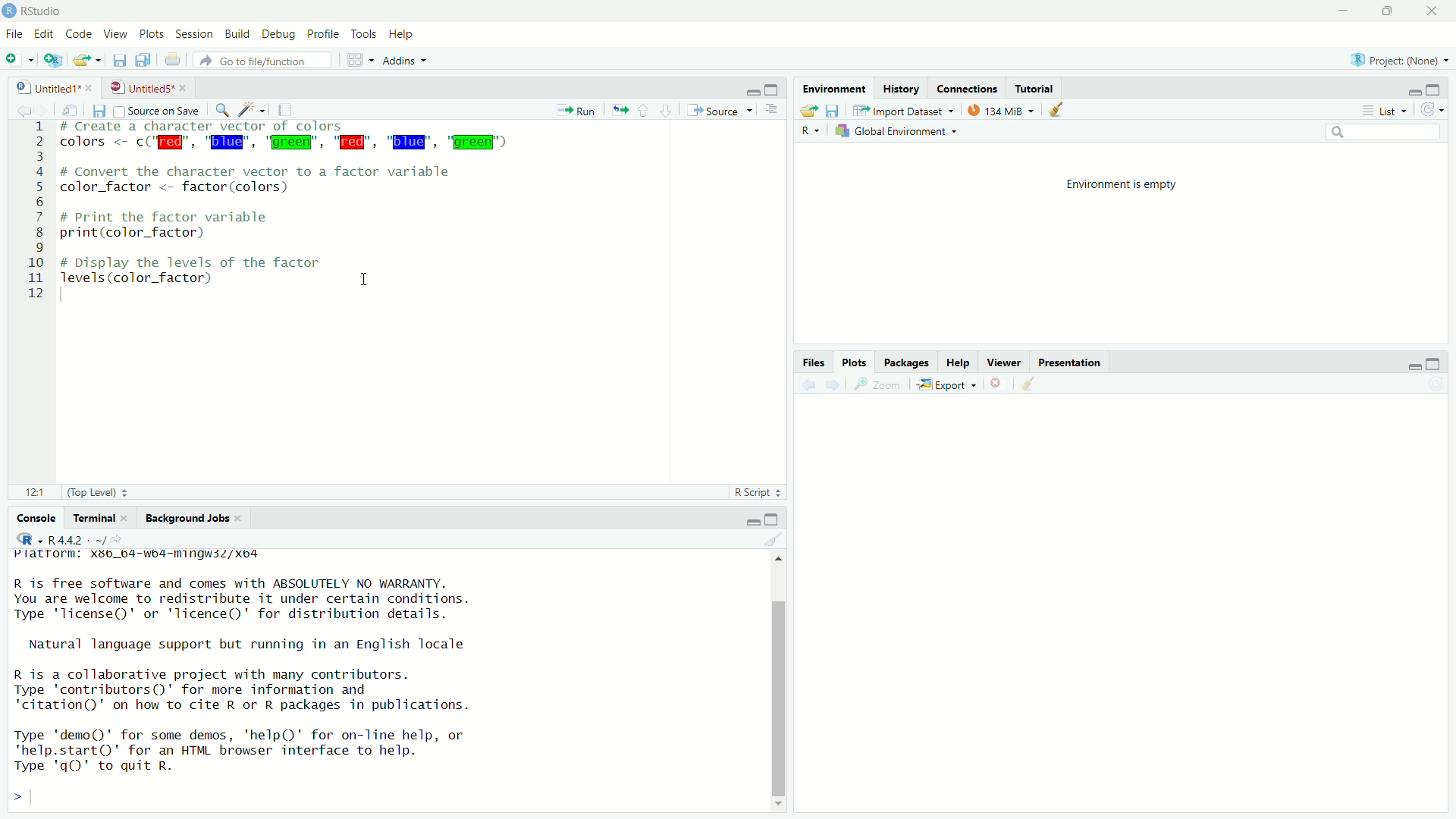 This screenshot has width=1456, height=819. Describe the element at coordinates (39, 88) in the screenshot. I see `untitled1` at that location.